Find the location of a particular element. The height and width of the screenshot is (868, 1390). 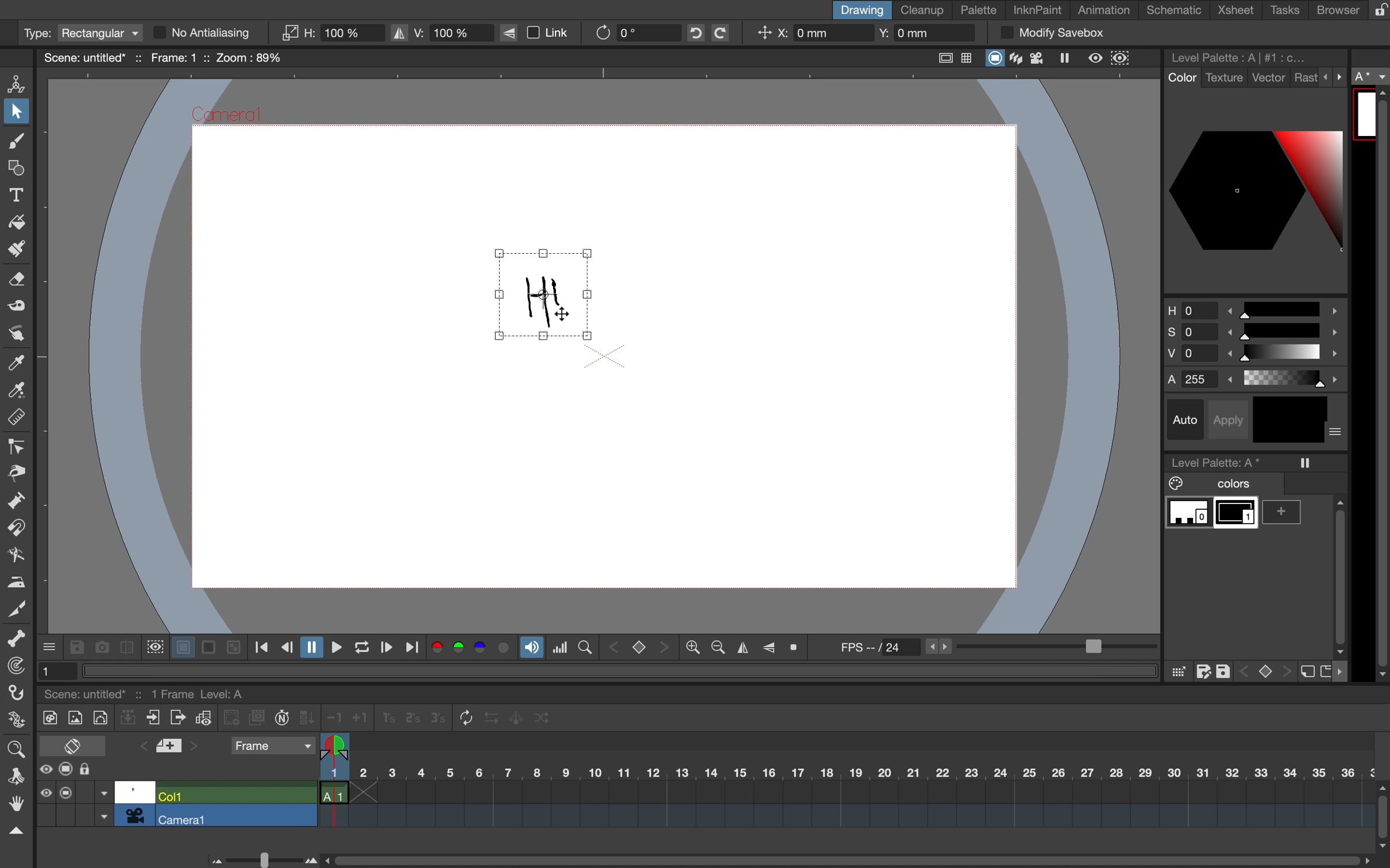

colors is located at coordinates (1217, 484).